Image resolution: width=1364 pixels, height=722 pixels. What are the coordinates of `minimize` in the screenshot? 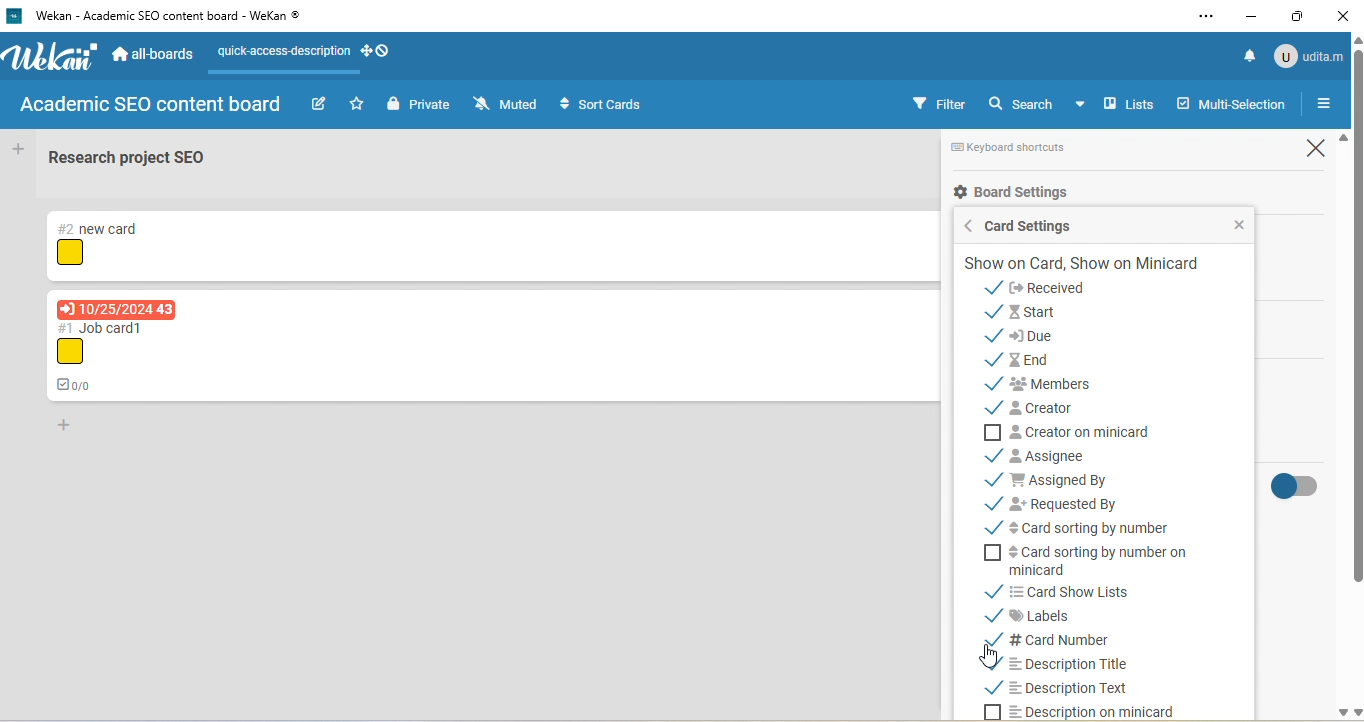 It's located at (1252, 15).